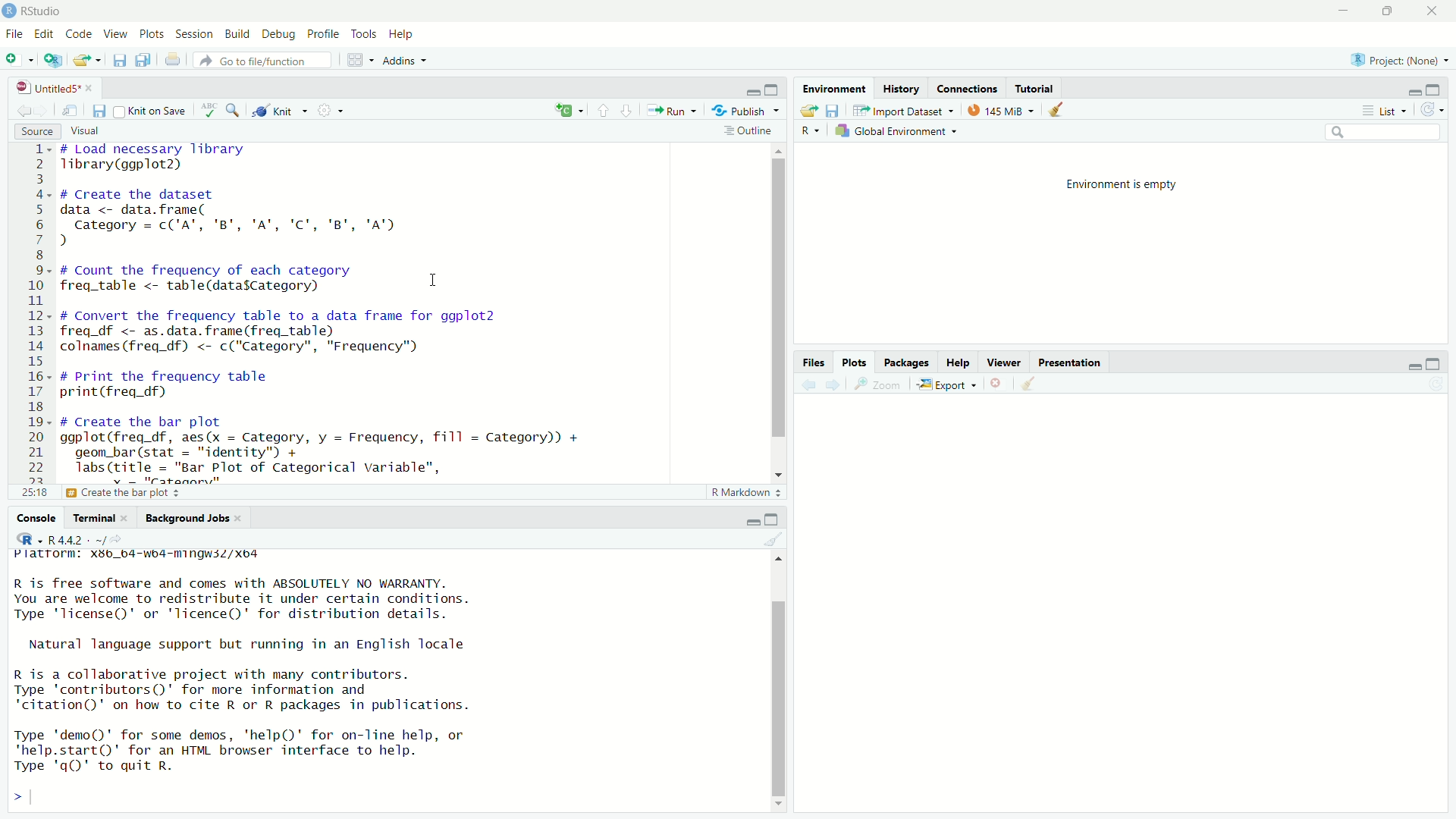 The height and width of the screenshot is (819, 1456). What do you see at coordinates (855, 362) in the screenshot?
I see `plots` at bounding box center [855, 362].